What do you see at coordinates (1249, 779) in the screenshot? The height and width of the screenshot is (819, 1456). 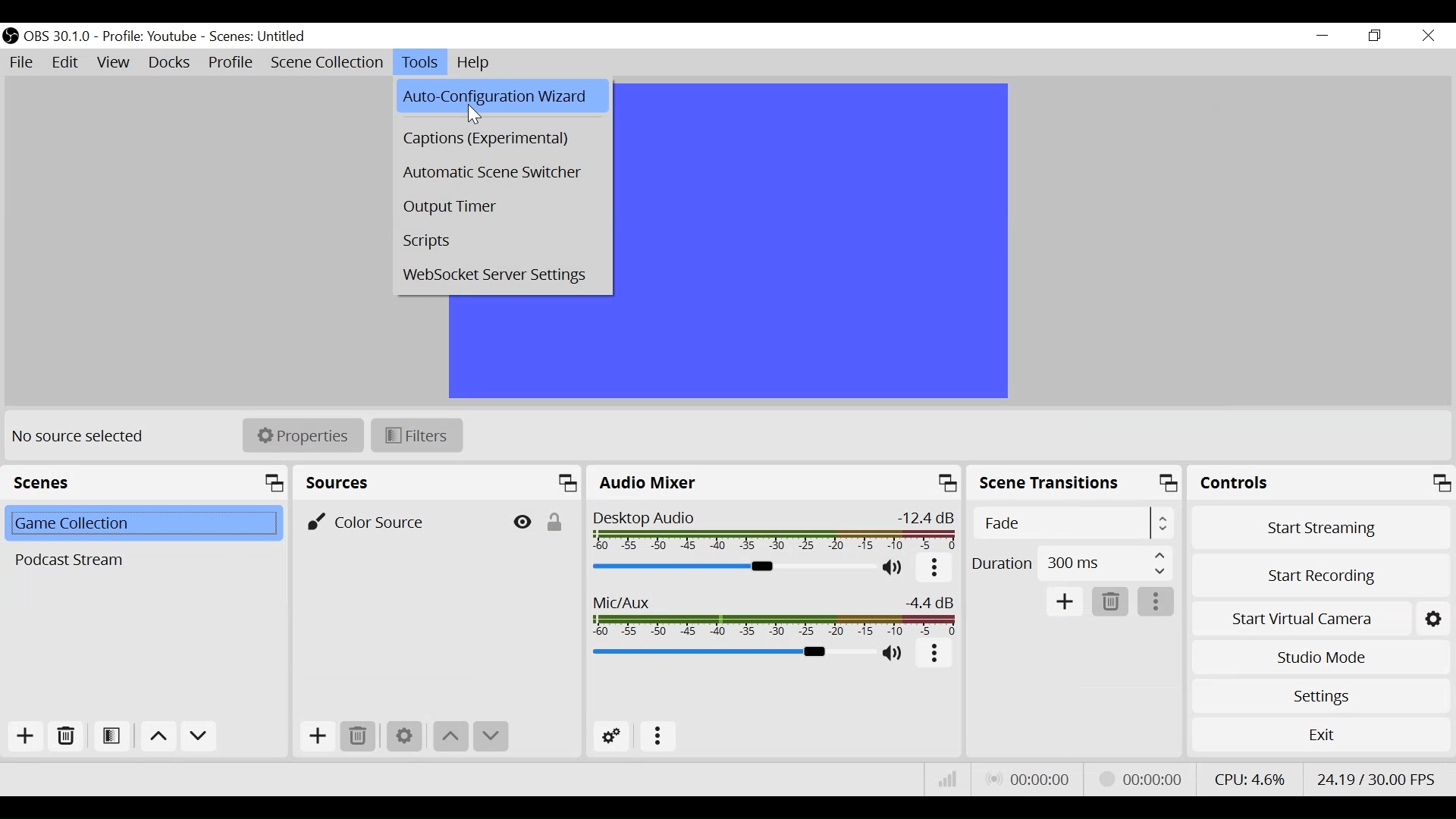 I see `CPU Usage` at bounding box center [1249, 779].